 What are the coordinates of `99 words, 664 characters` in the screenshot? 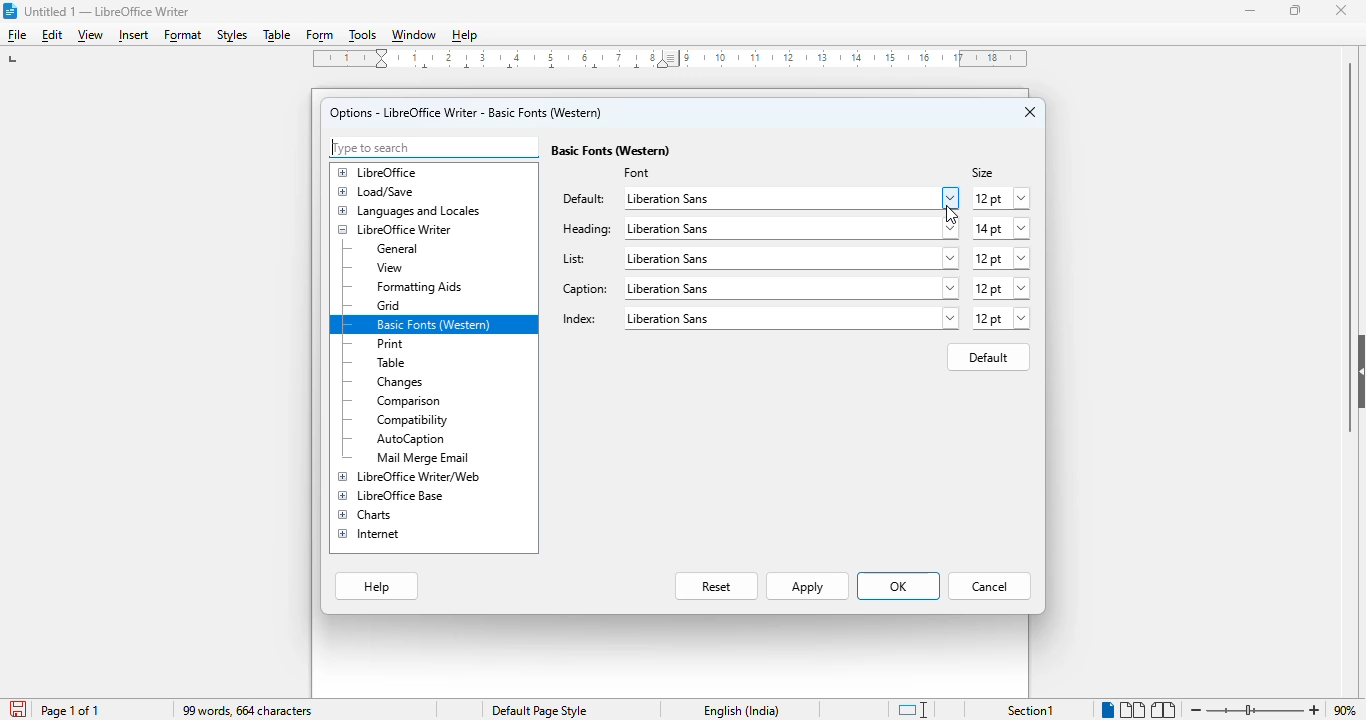 It's located at (248, 712).